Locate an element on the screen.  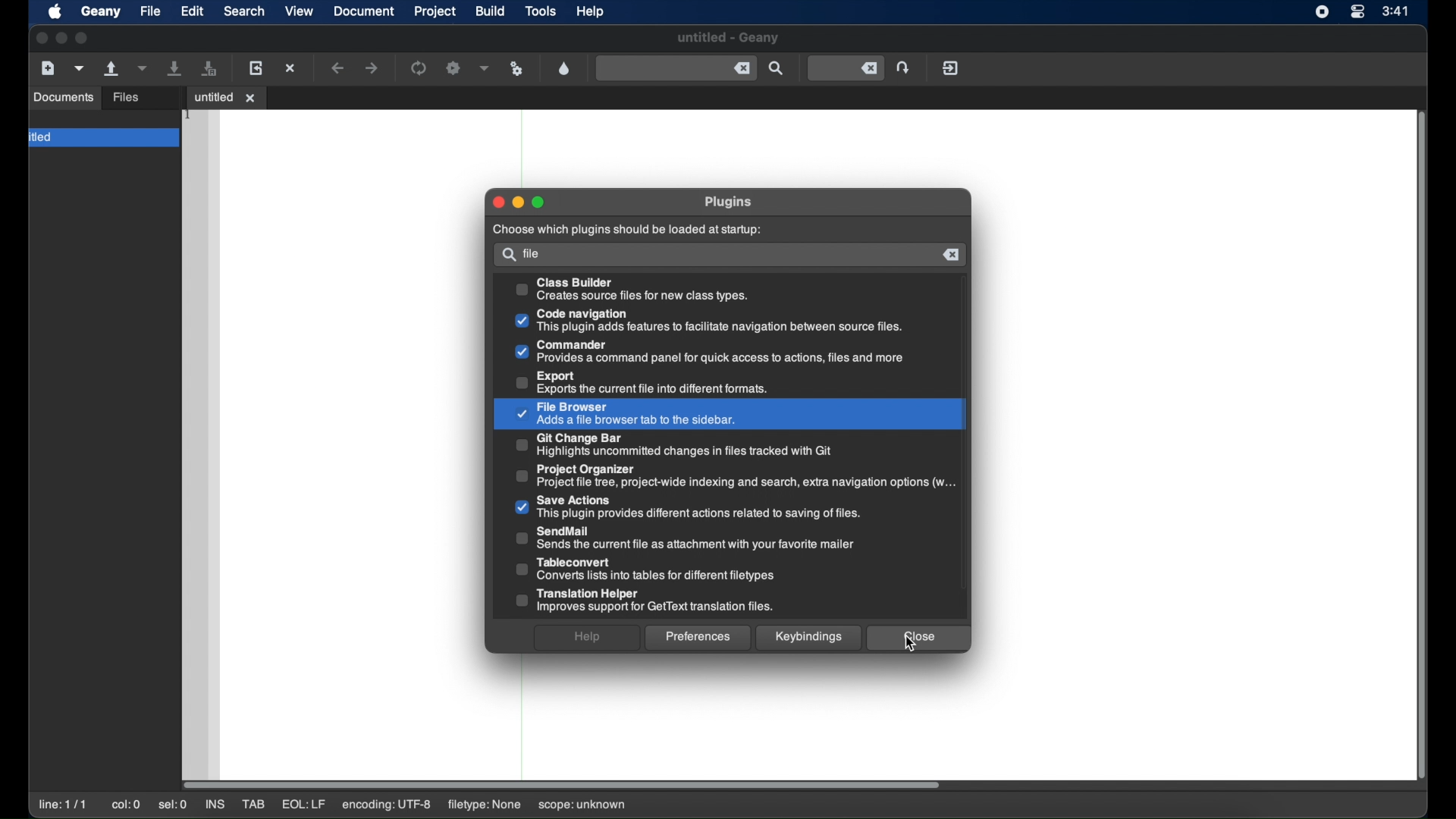
tools is located at coordinates (543, 11).